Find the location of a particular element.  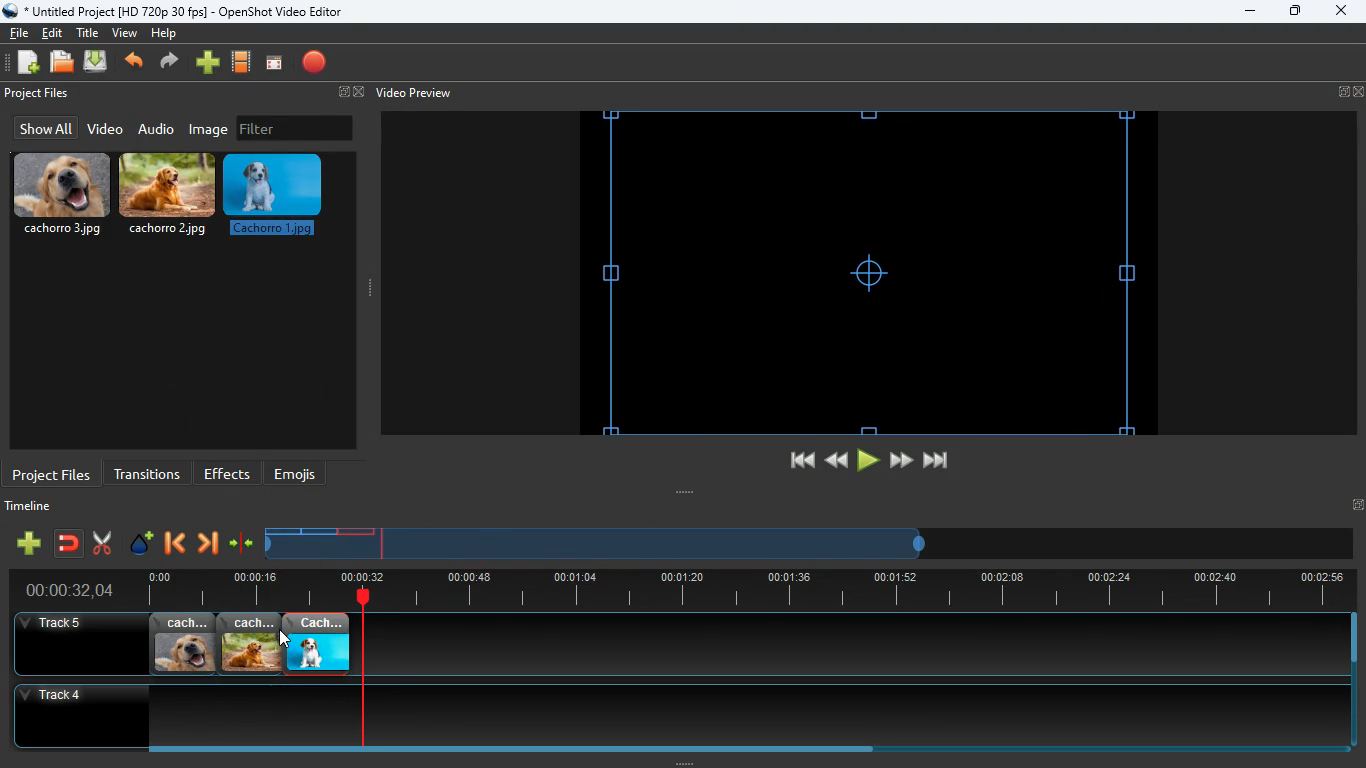

title is located at coordinates (90, 32).